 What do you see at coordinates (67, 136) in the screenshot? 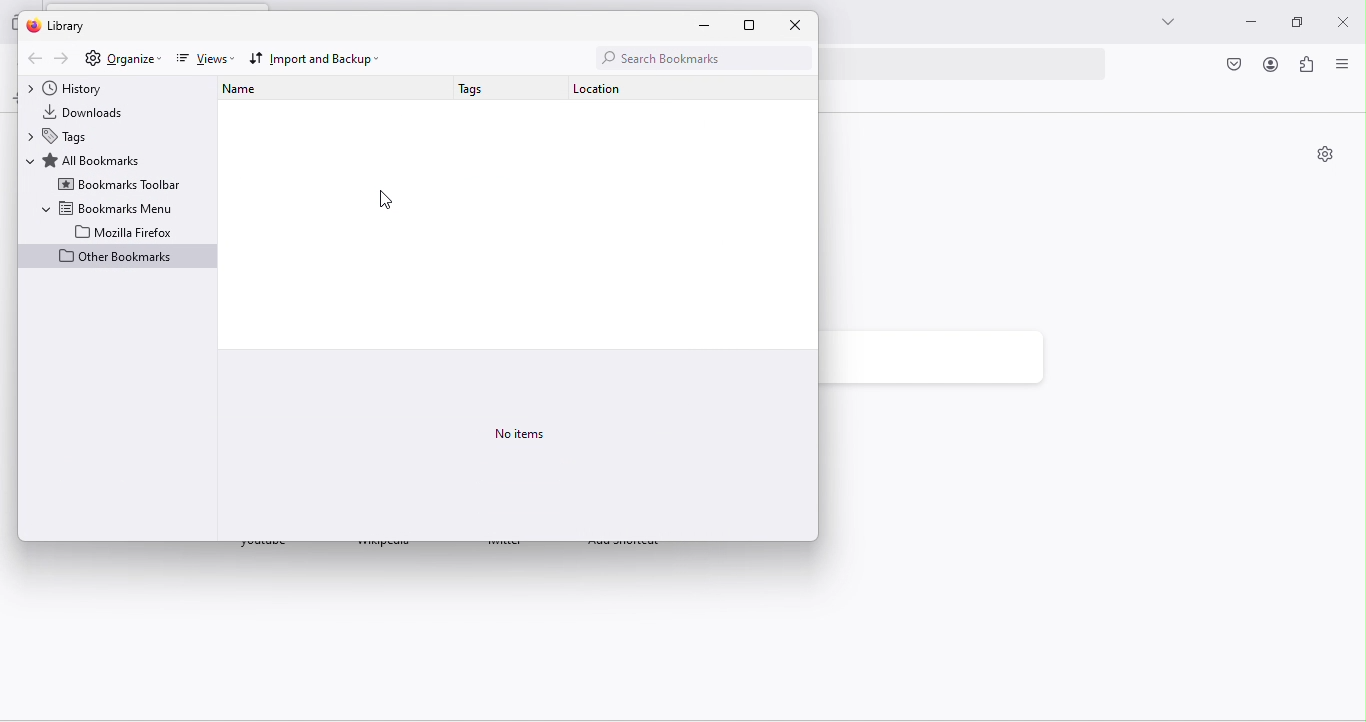
I see `tags` at bounding box center [67, 136].